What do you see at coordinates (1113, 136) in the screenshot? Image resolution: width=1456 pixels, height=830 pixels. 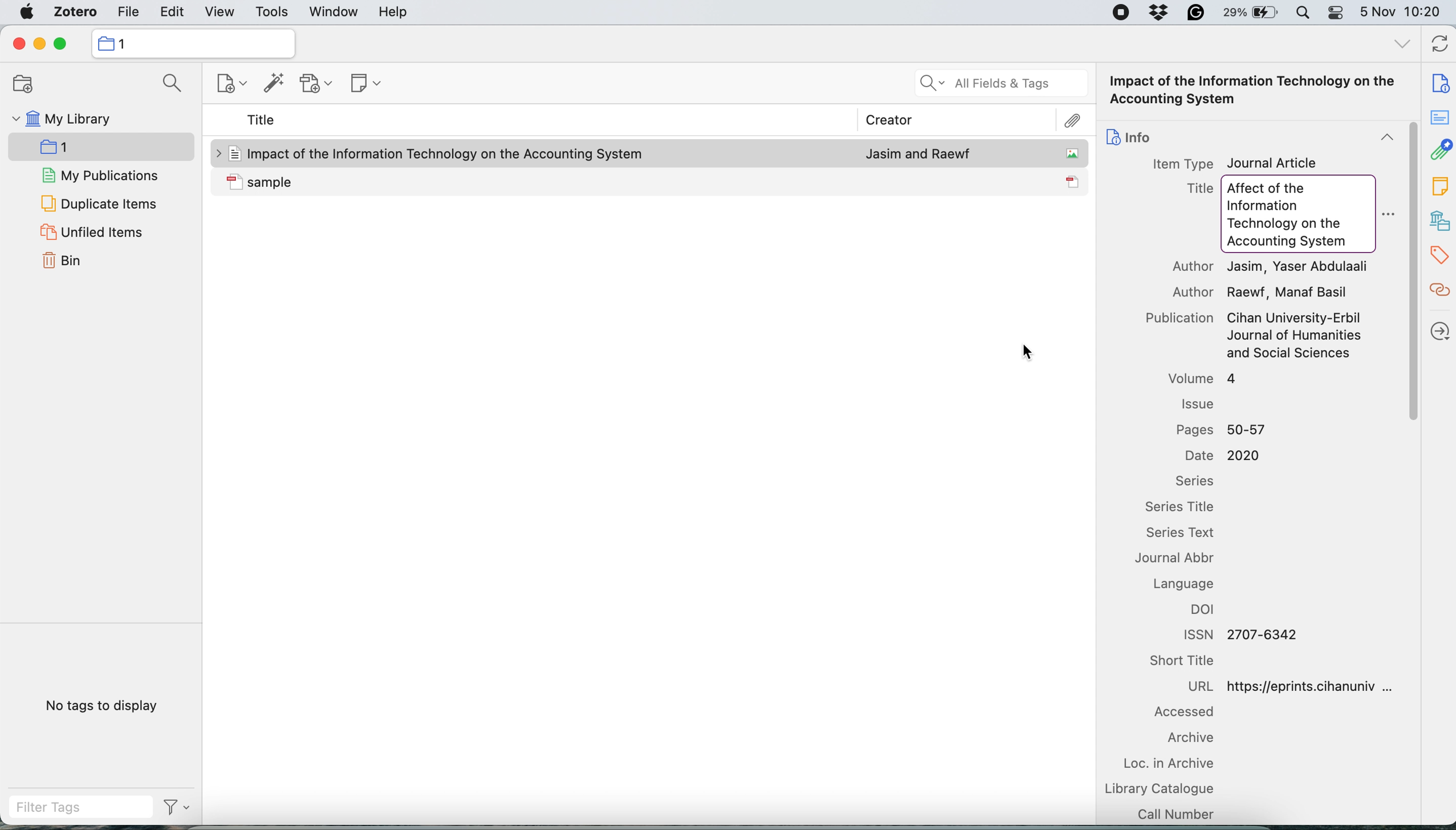 I see `icon` at bounding box center [1113, 136].